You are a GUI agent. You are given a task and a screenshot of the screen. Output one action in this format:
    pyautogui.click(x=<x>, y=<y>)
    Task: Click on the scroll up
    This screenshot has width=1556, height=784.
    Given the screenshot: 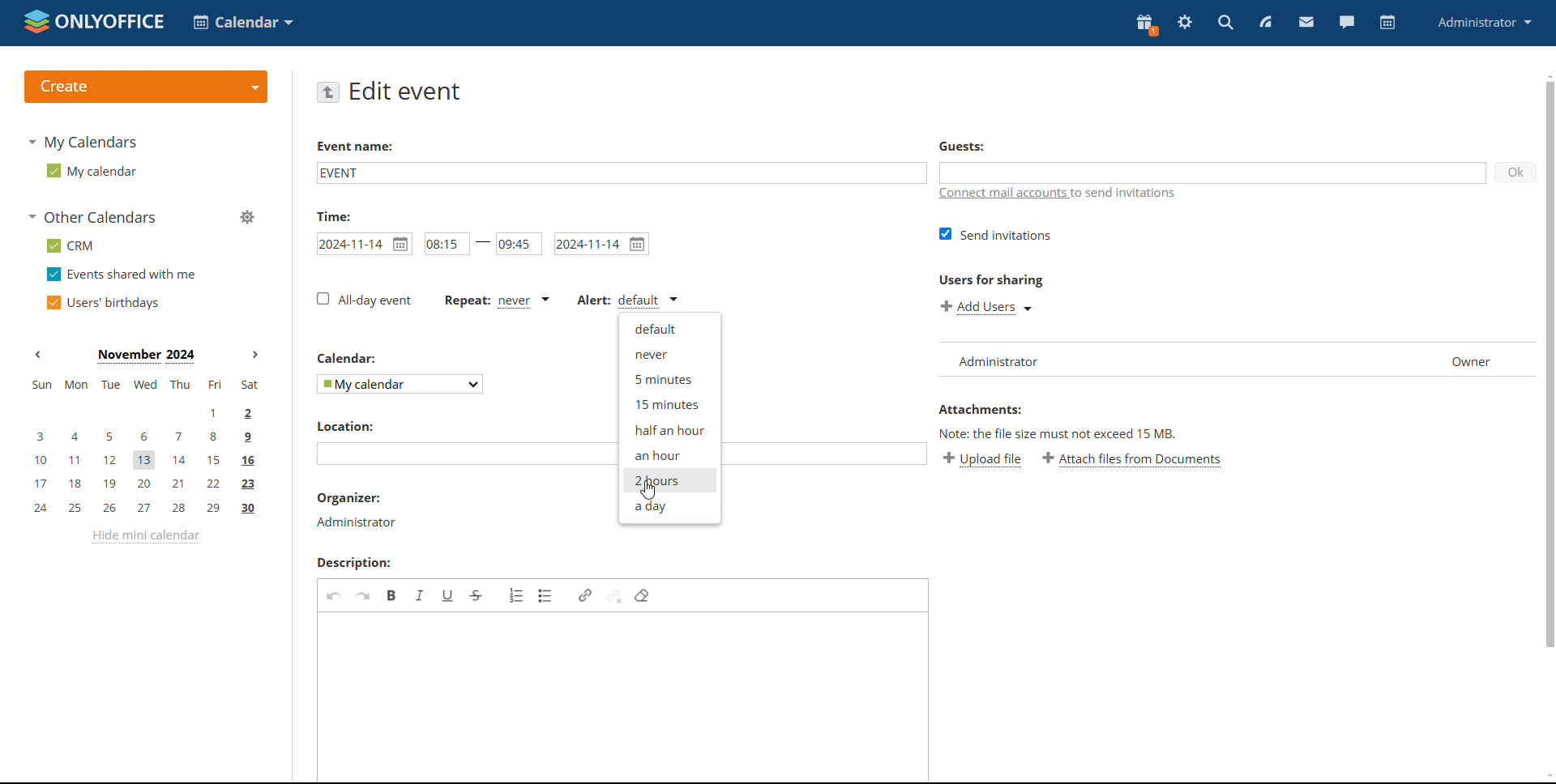 What is the action you would take?
    pyautogui.click(x=1546, y=75)
    